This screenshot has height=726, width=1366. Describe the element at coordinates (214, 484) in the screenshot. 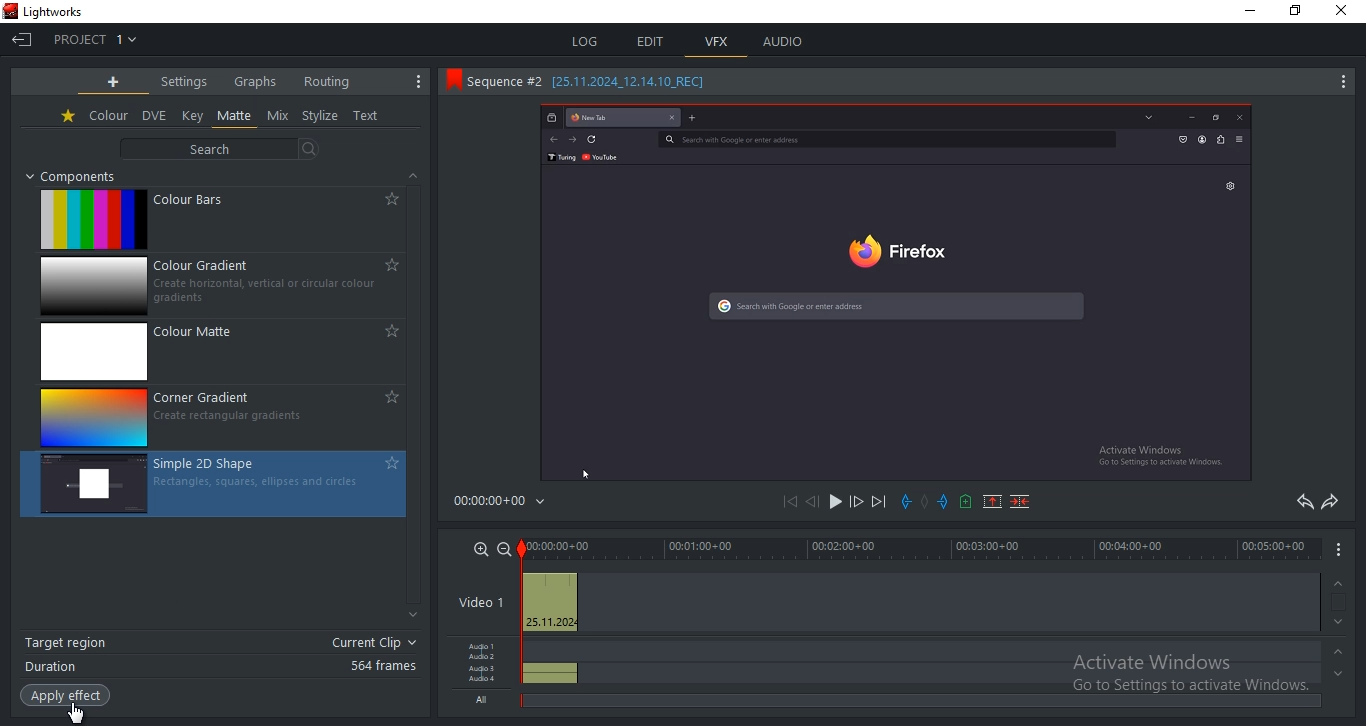

I see `simple 2d shape` at that location.